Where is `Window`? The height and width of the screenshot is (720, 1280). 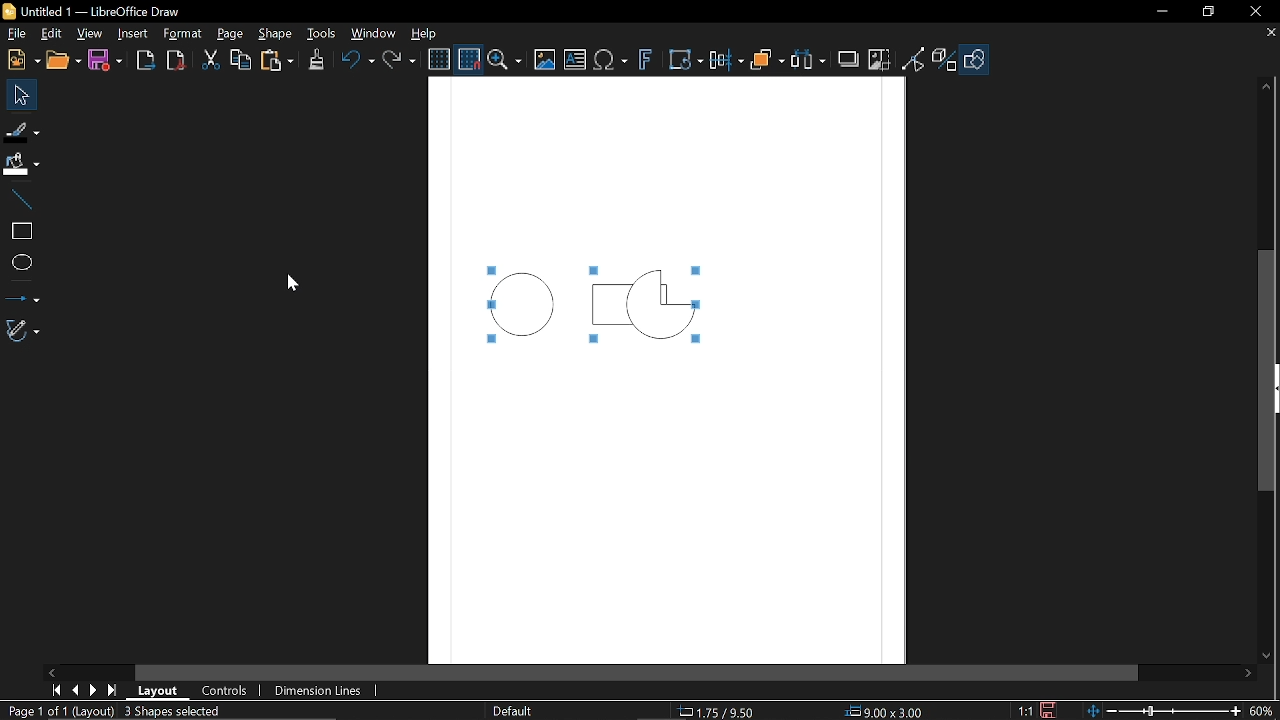
Window is located at coordinates (371, 34).